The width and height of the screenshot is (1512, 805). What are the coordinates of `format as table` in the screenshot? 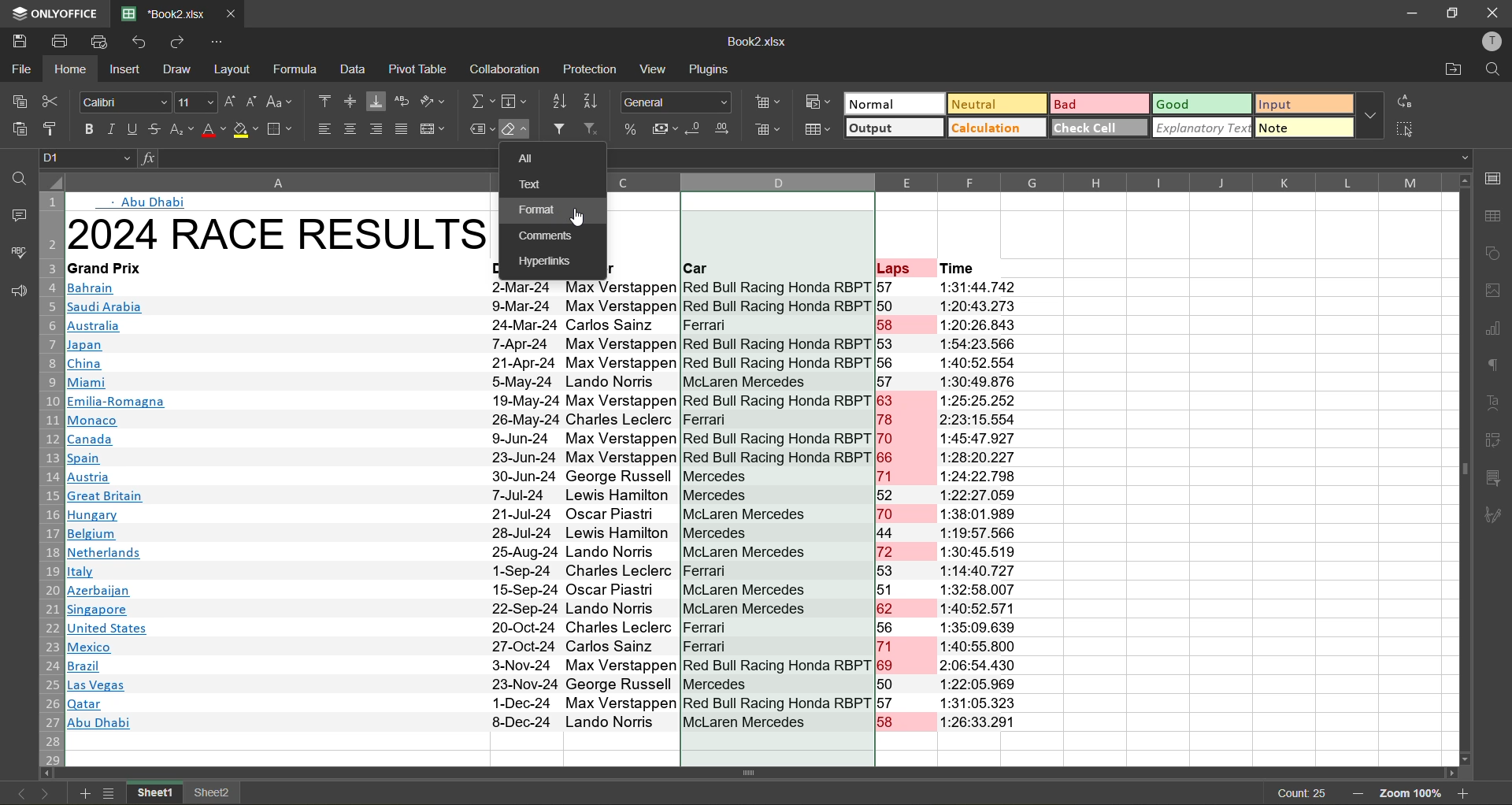 It's located at (821, 128).